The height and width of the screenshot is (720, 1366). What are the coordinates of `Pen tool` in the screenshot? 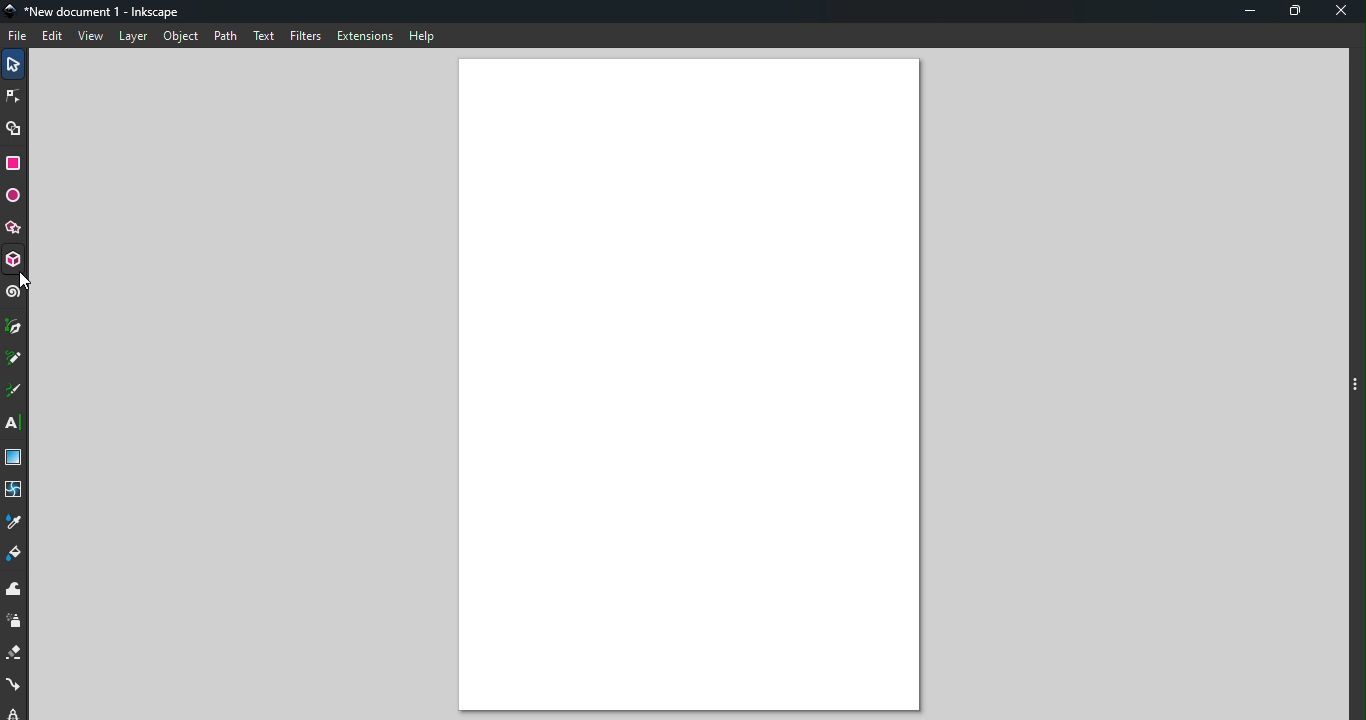 It's located at (16, 328).